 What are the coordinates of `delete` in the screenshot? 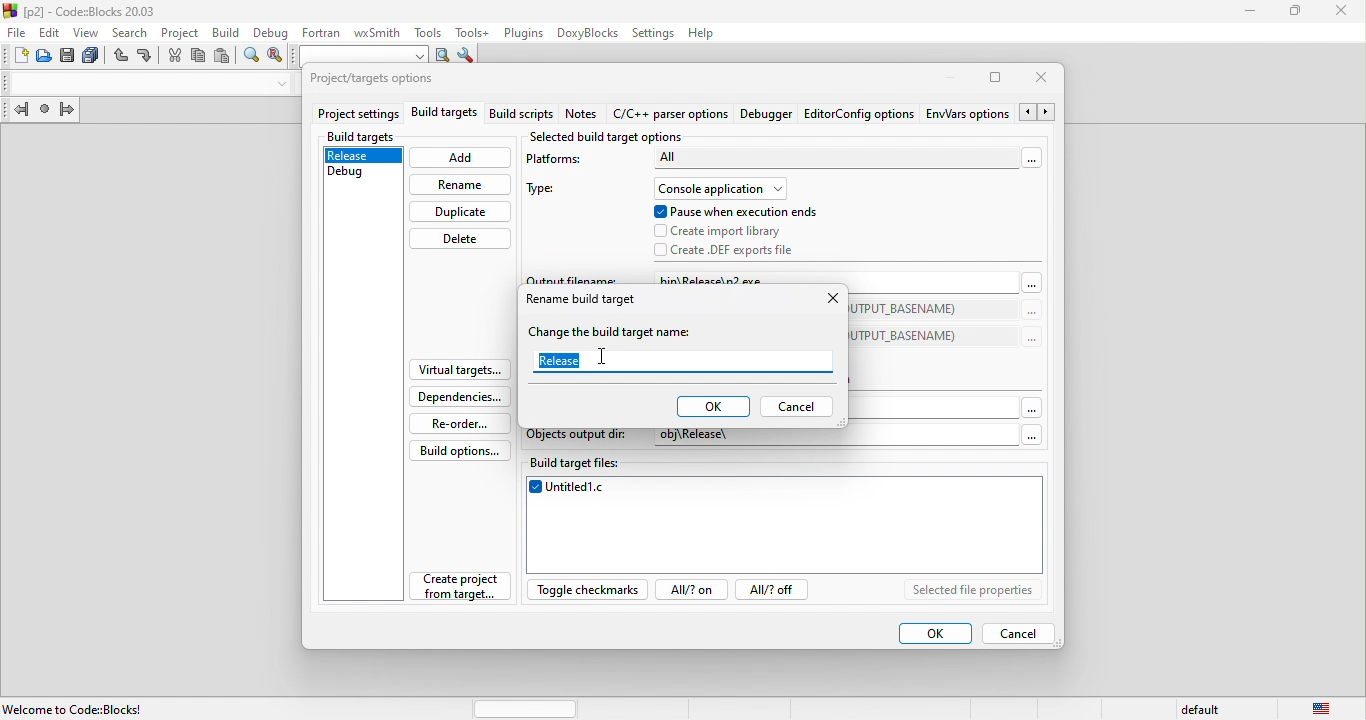 It's located at (461, 239).